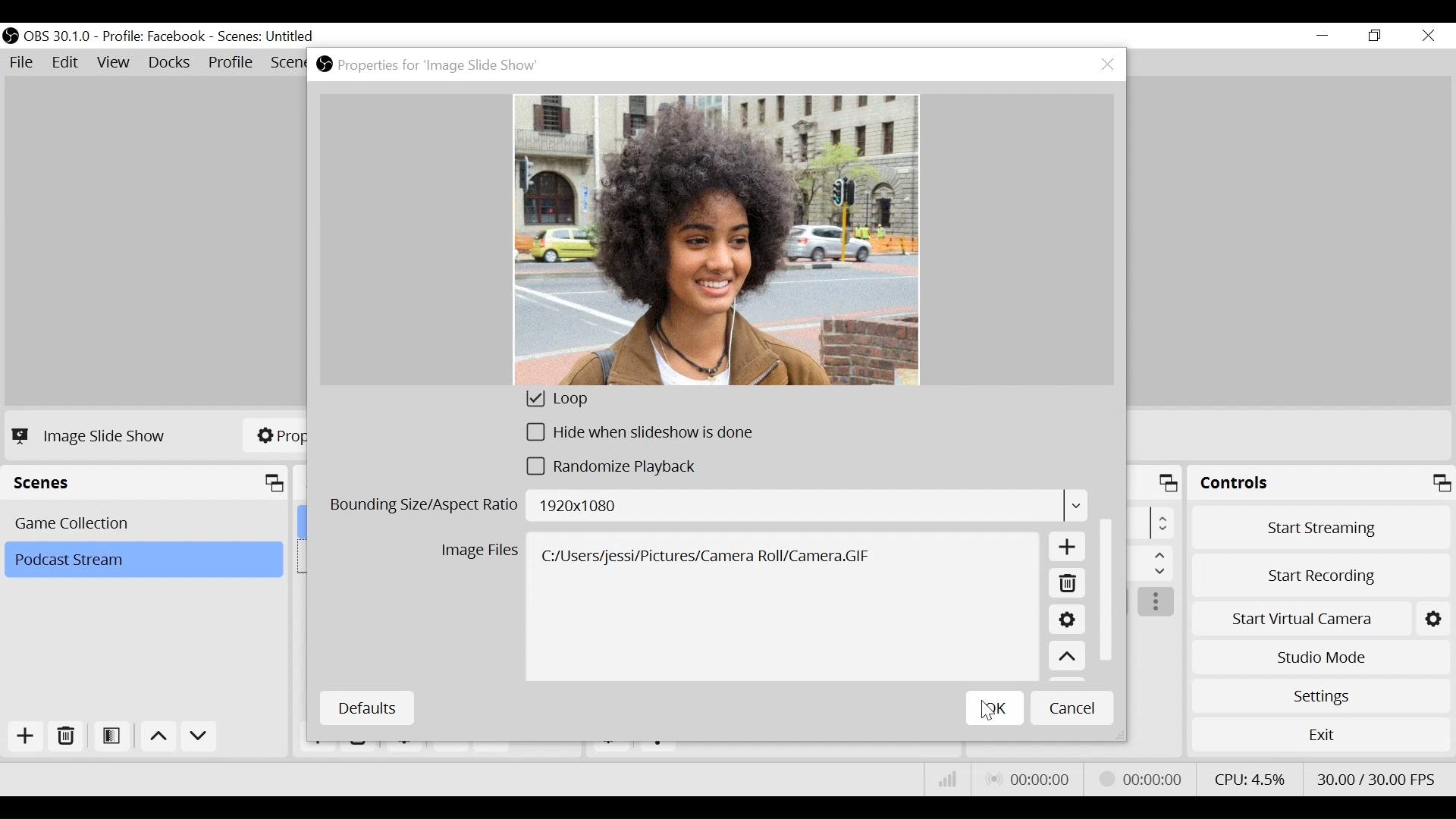 This screenshot has height=819, width=1456. Describe the element at coordinates (1321, 655) in the screenshot. I see `Studio Mode` at that location.